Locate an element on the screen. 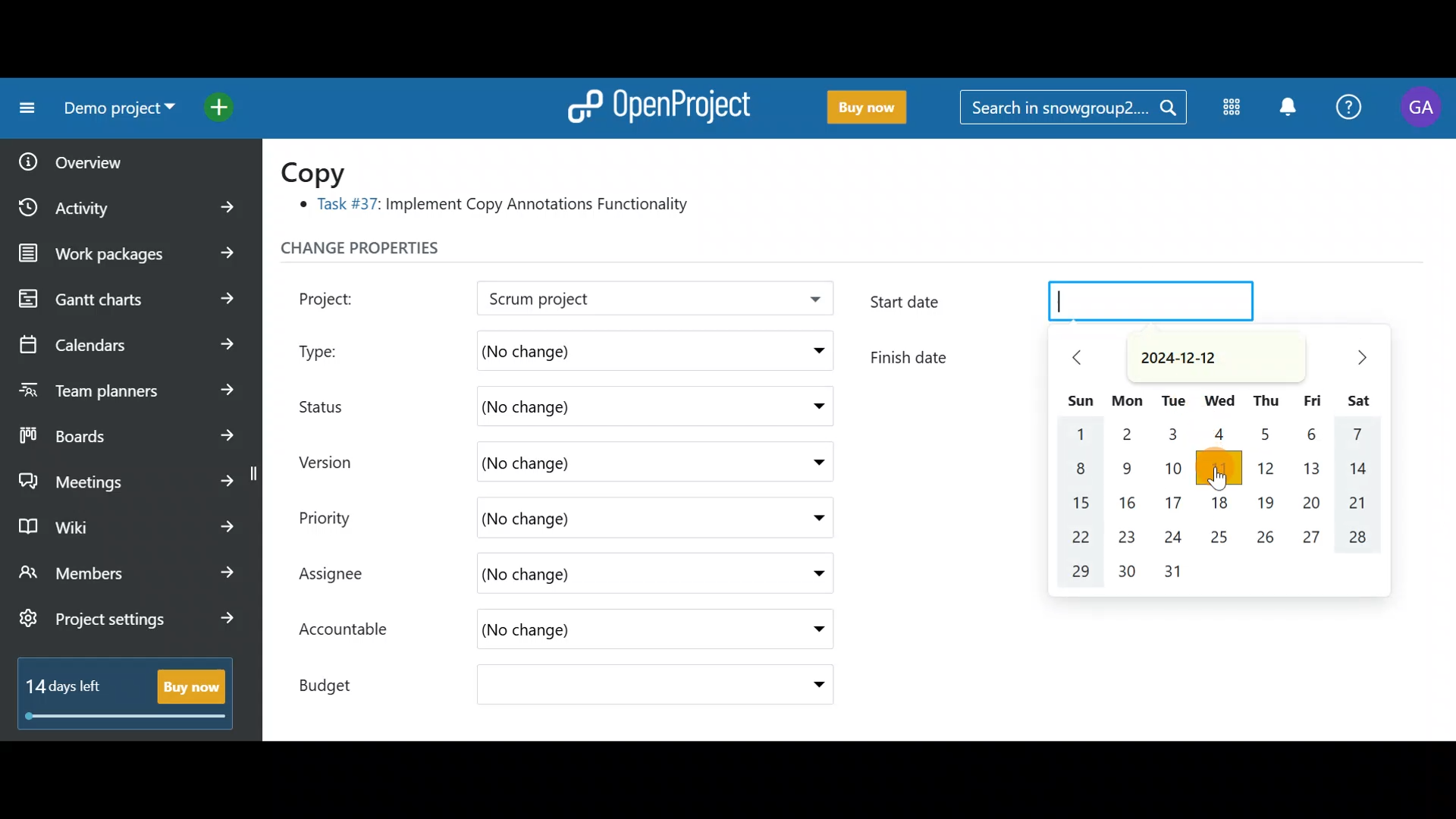  Thu is located at coordinates (1266, 403).